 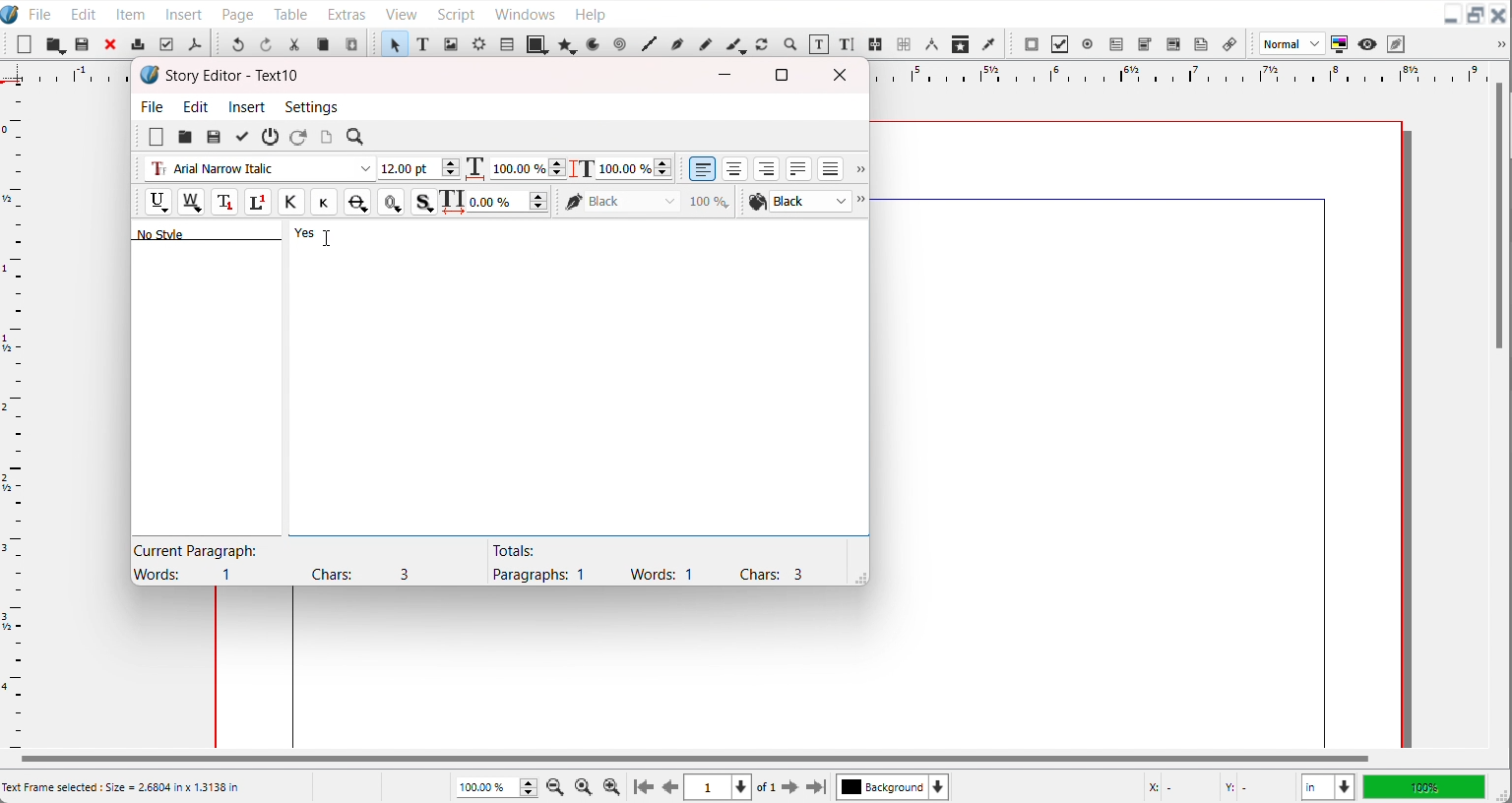 I want to click on Redo, so click(x=265, y=43).